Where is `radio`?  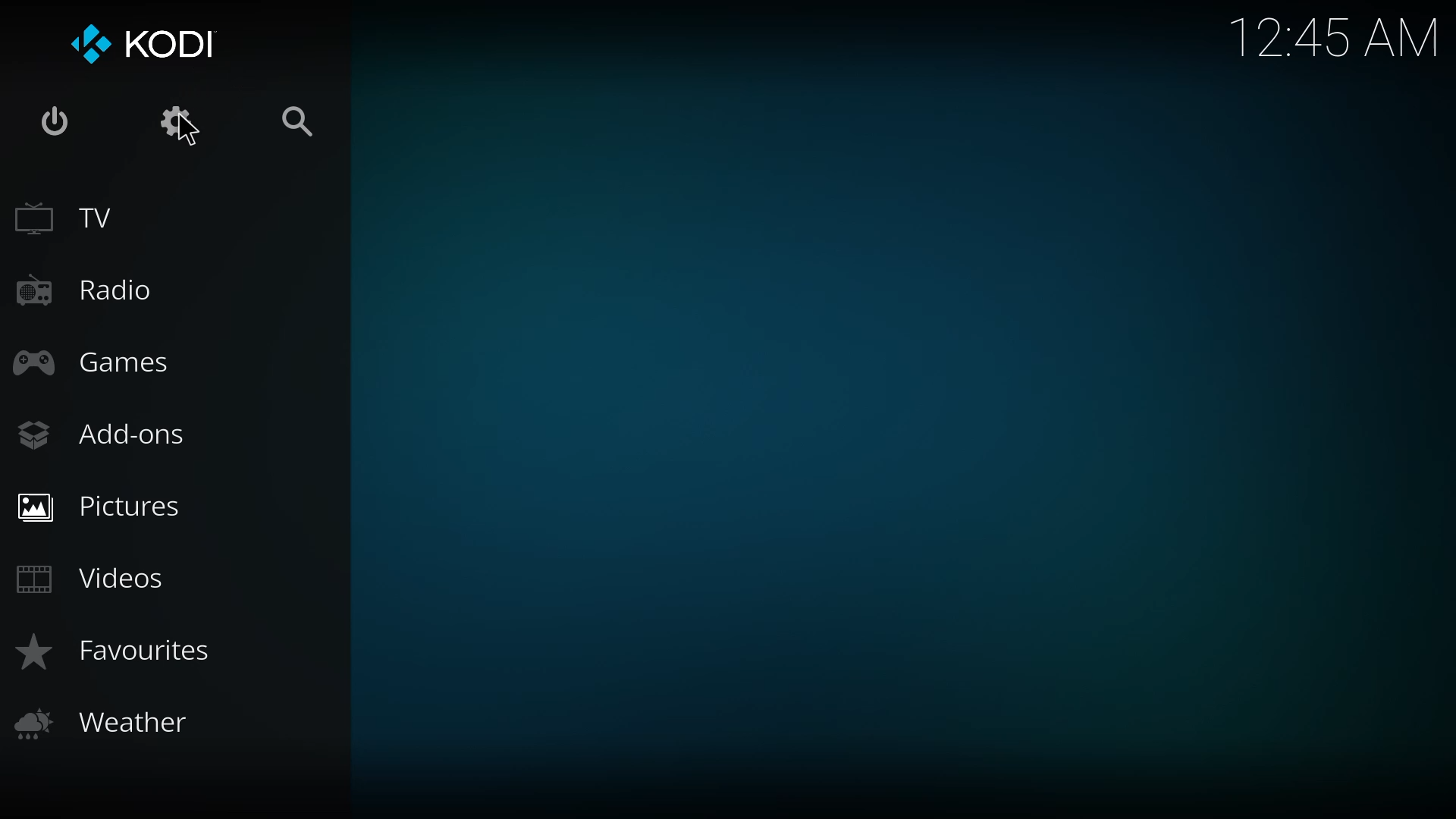
radio is located at coordinates (83, 290).